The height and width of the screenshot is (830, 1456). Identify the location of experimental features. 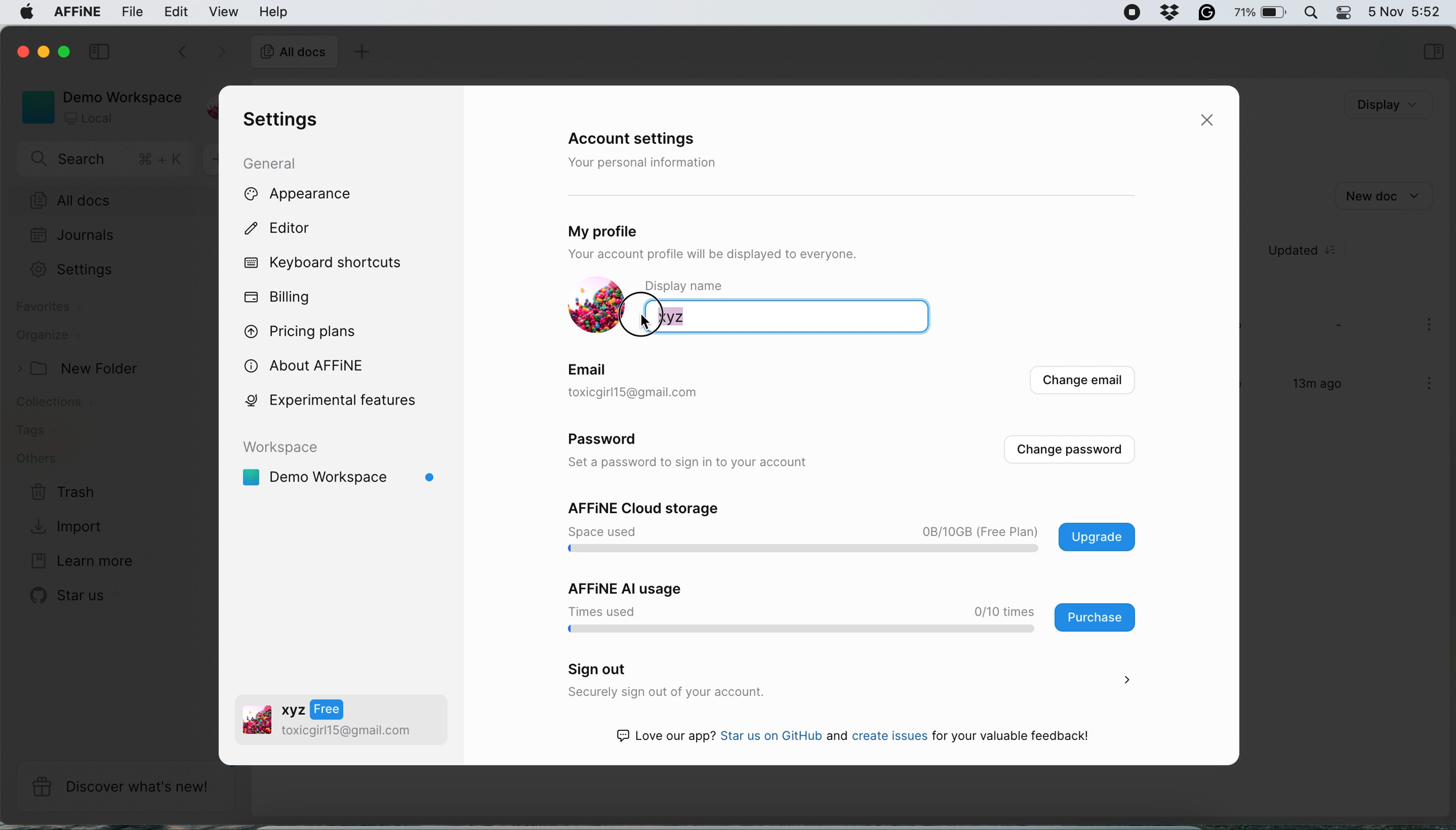
(345, 400).